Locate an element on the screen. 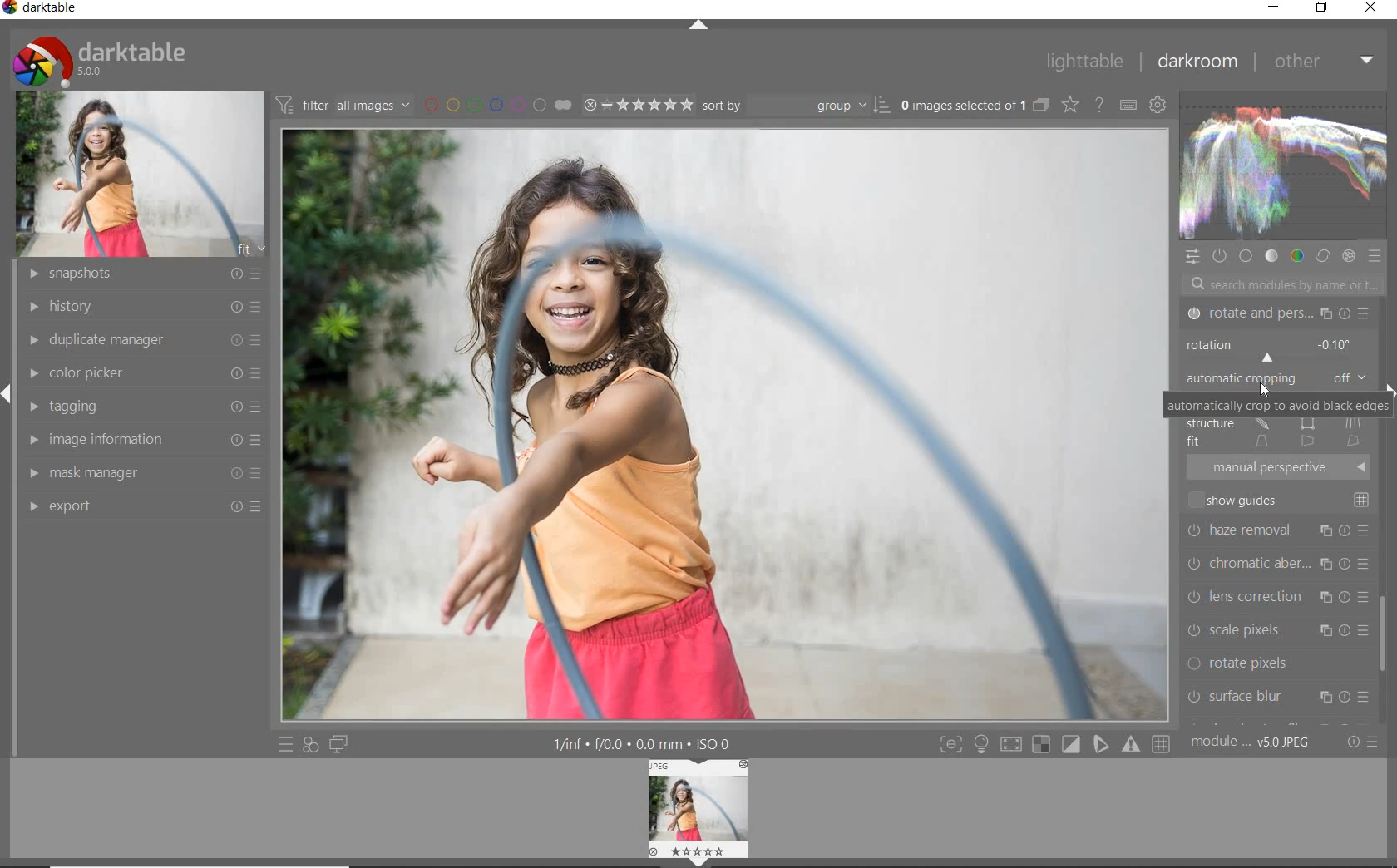 This screenshot has height=868, width=1397. lens correction is located at coordinates (1277, 594).